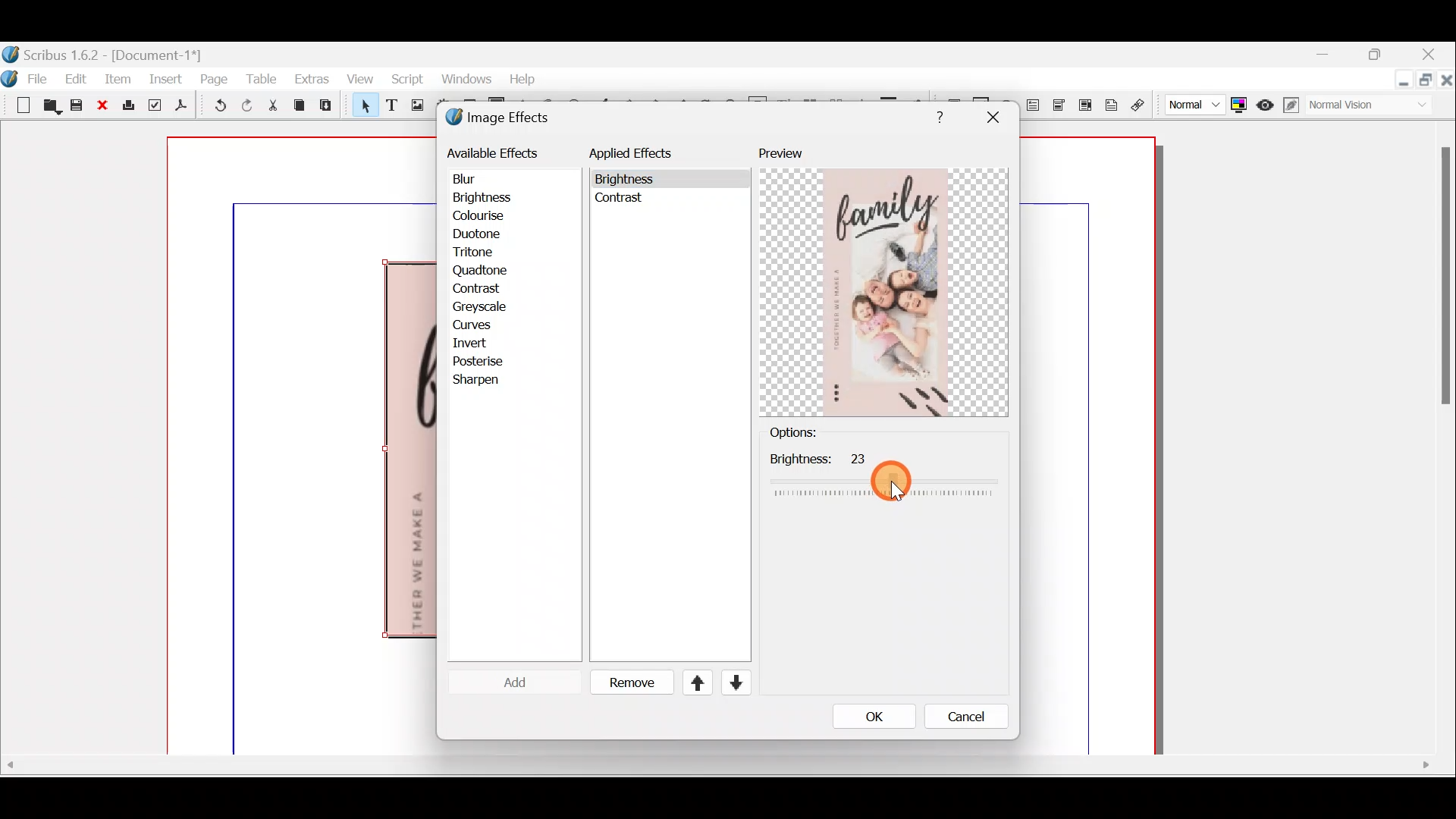 The image size is (1456, 819). What do you see at coordinates (507, 119) in the screenshot?
I see `Image effects` at bounding box center [507, 119].